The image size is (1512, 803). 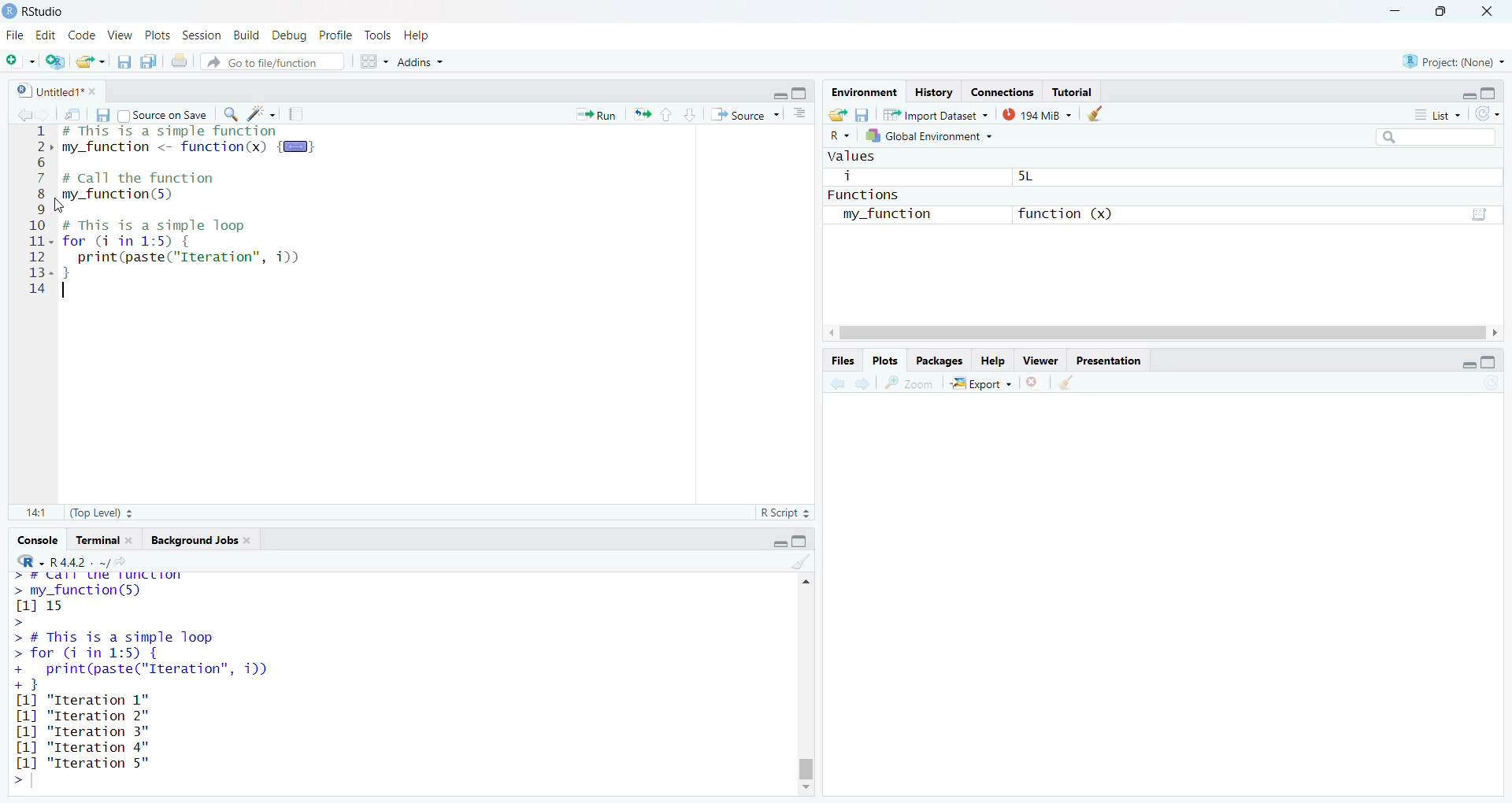 What do you see at coordinates (1165, 333) in the screenshot?
I see `scrollbar` at bounding box center [1165, 333].